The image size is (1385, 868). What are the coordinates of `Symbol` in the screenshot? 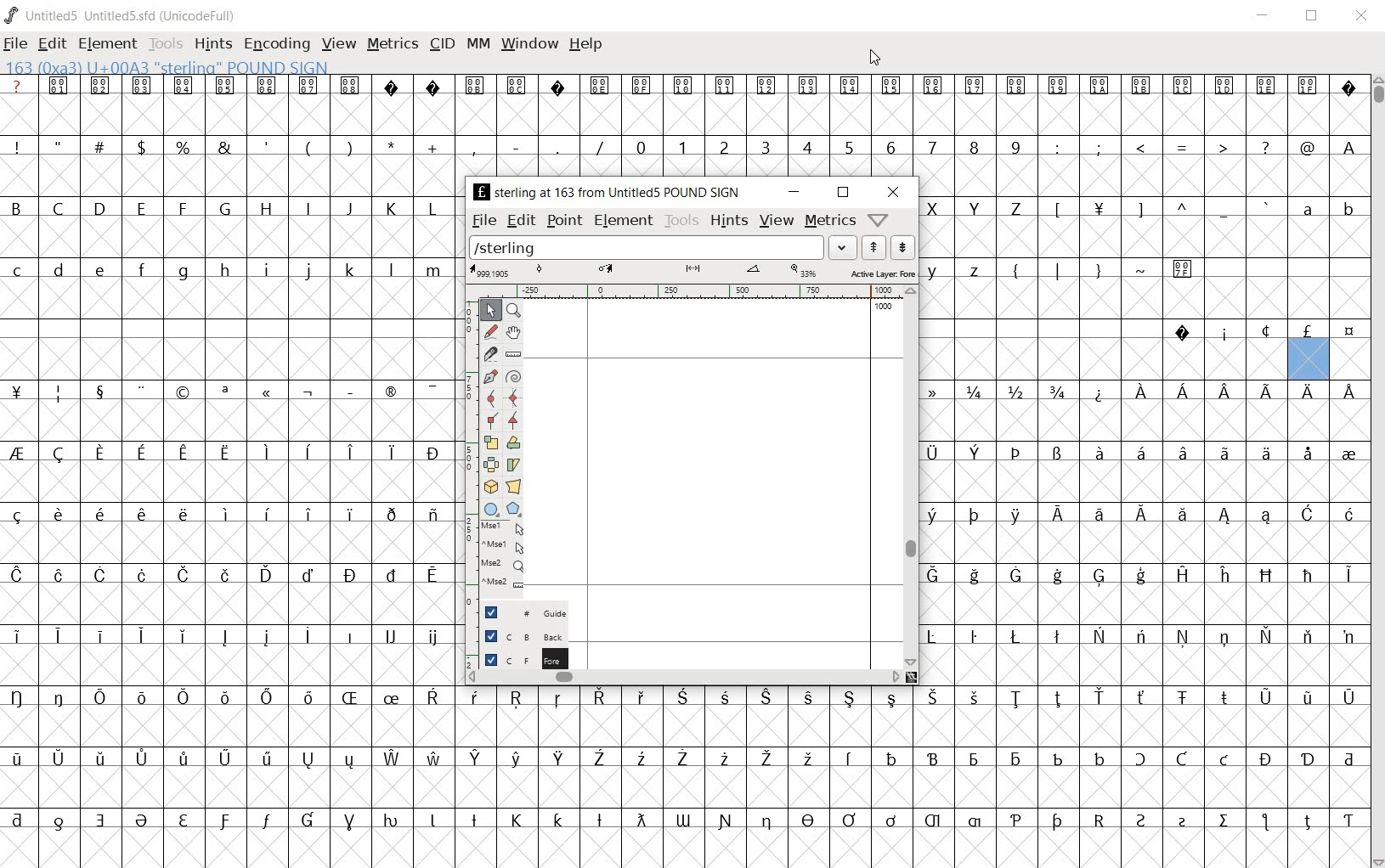 It's located at (432, 390).